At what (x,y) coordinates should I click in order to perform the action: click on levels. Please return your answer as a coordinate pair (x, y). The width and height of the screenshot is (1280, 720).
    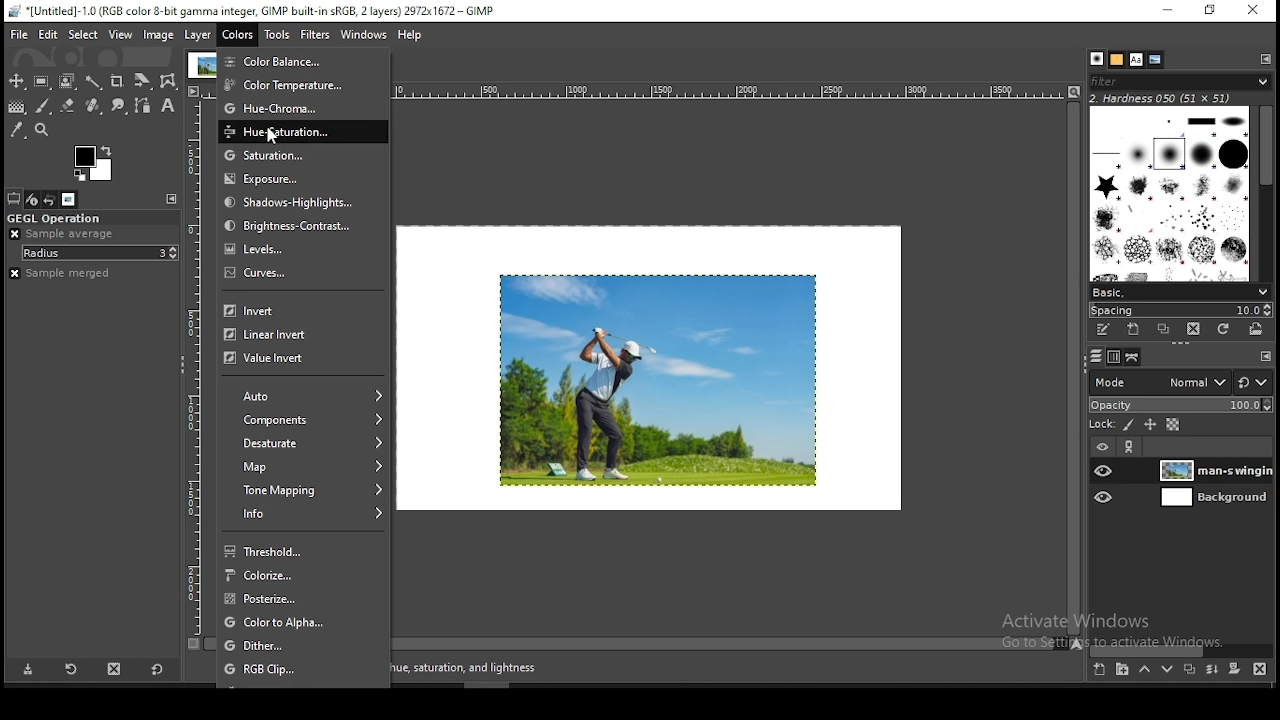
    Looking at the image, I should click on (302, 247).